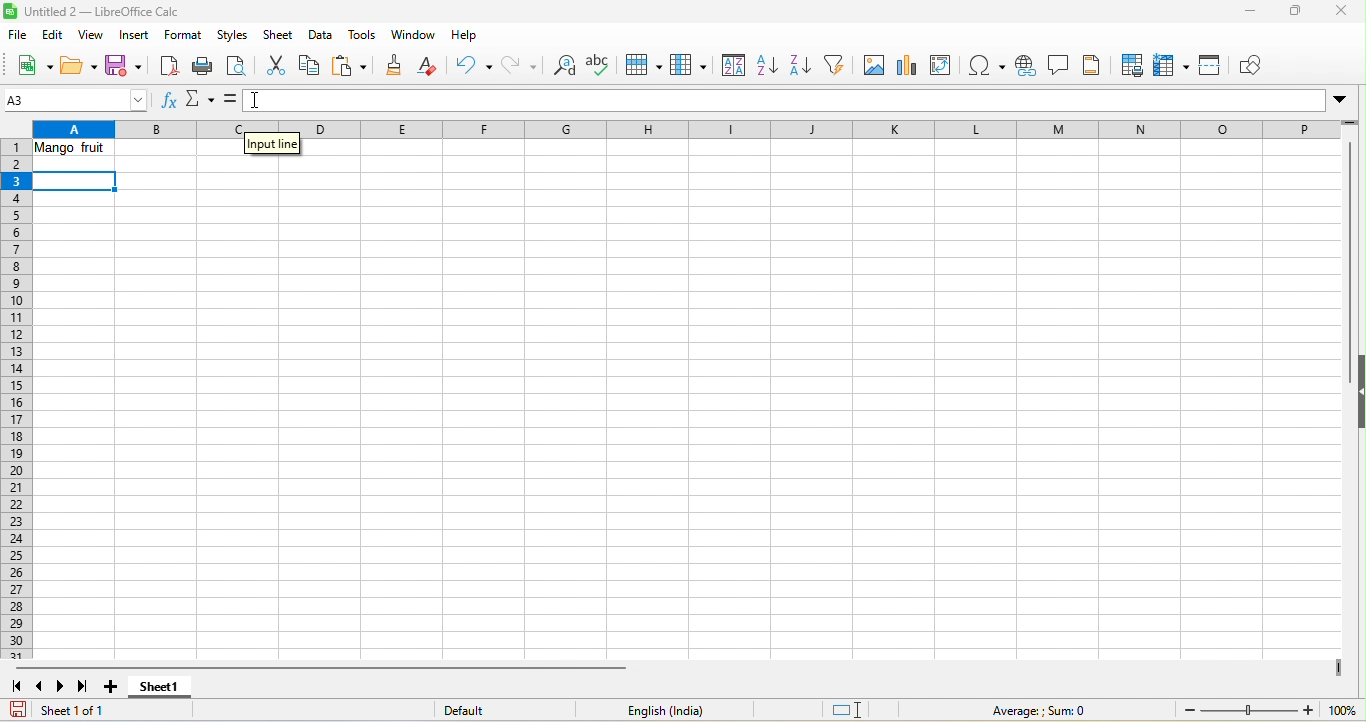 Image resolution: width=1366 pixels, height=722 pixels. I want to click on view, so click(91, 35).